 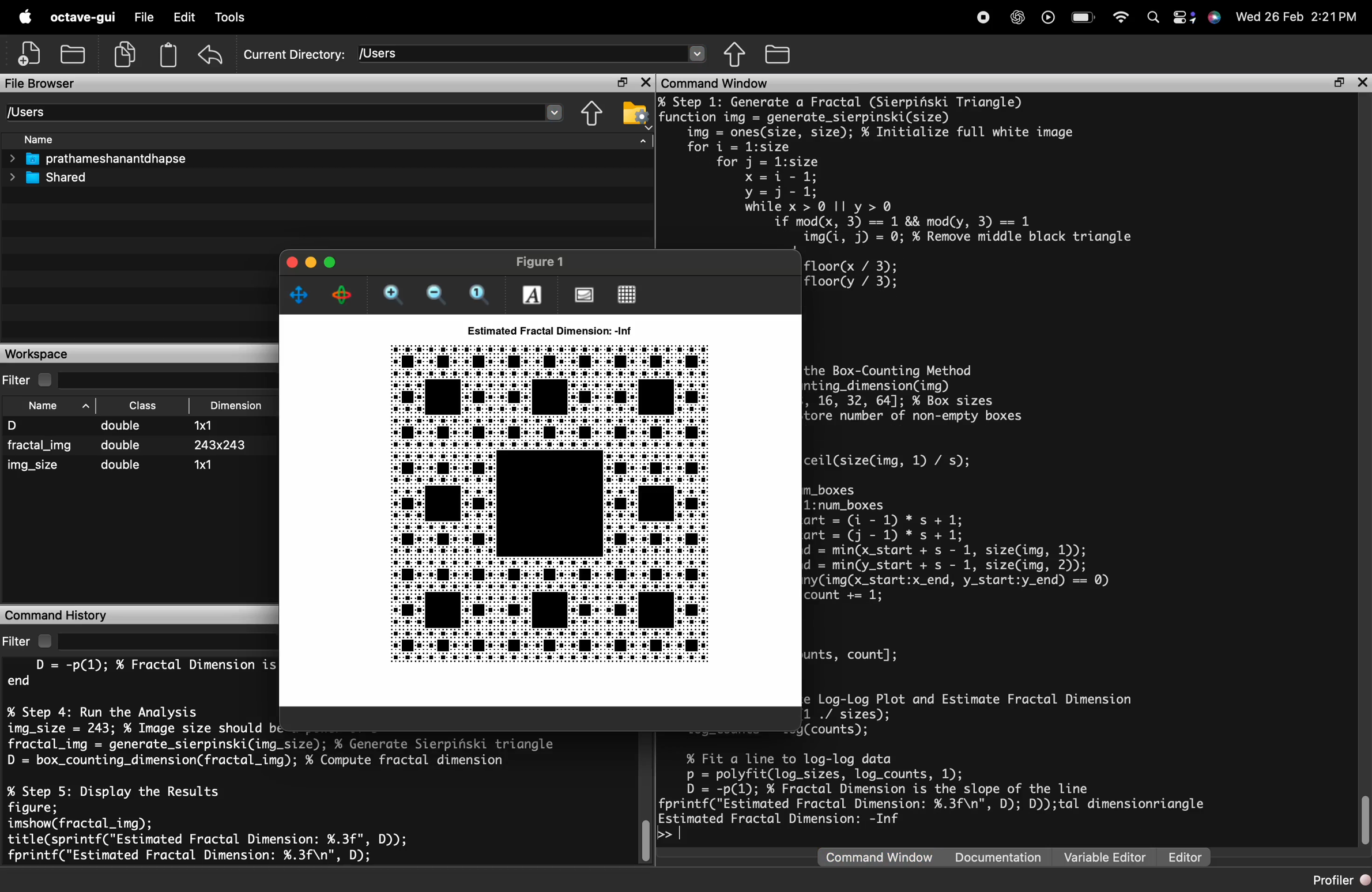 What do you see at coordinates (1124, 13) in the screenshot?
I see `wifi` at bounding box center [1124, 13].